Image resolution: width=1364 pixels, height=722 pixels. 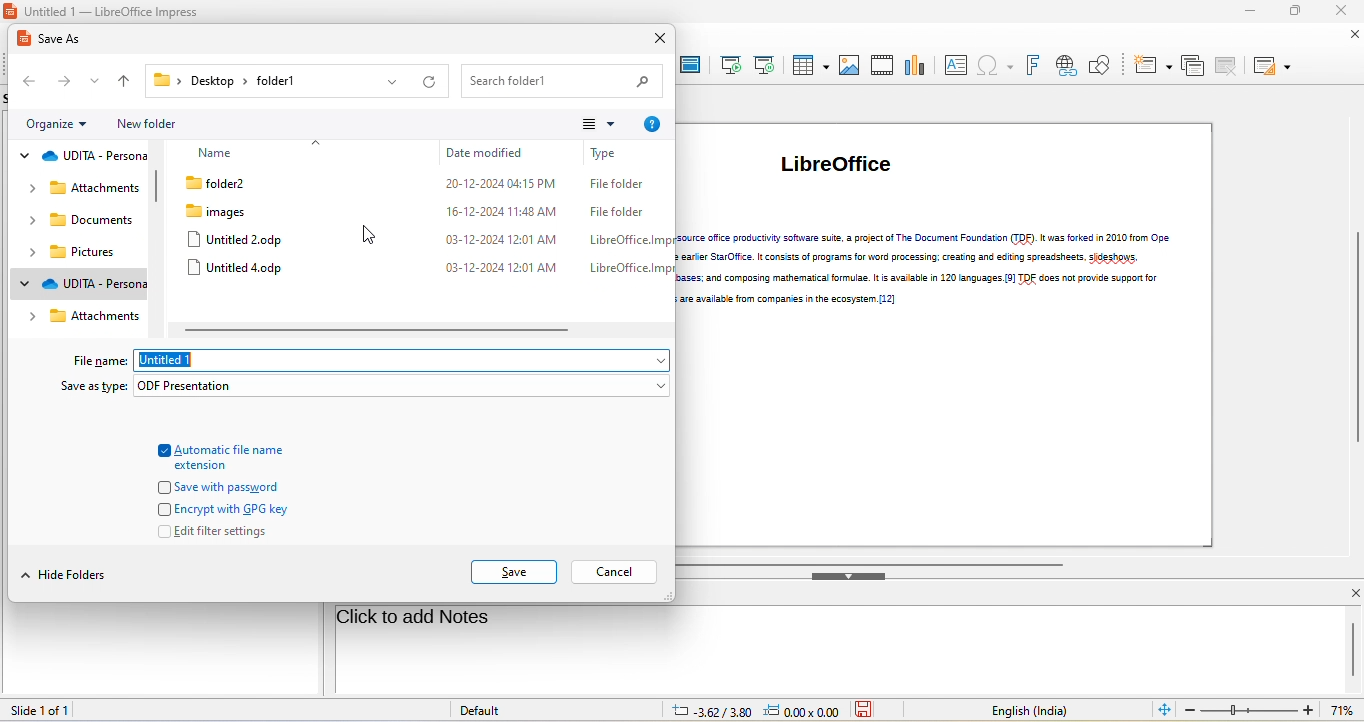 I want to click on show draw function, so click(x=1101, y=65).